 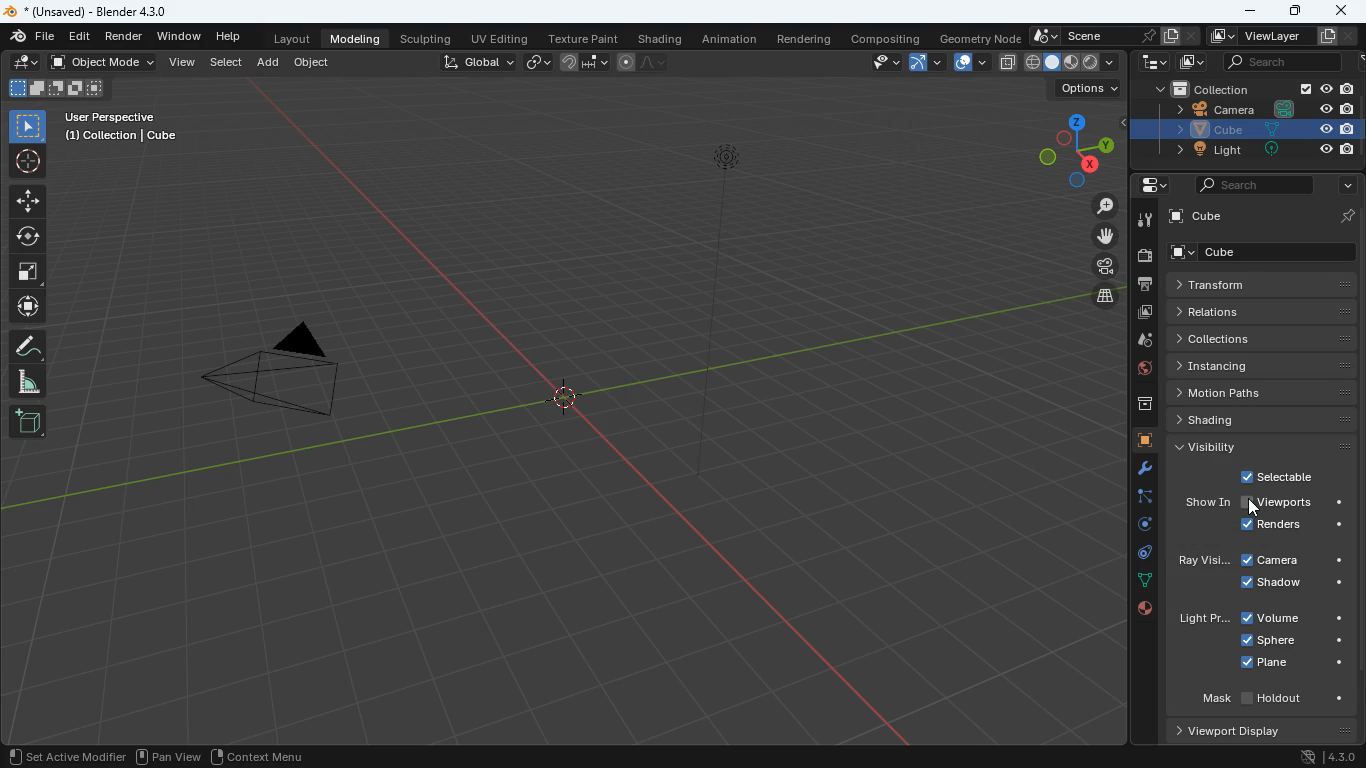 I want to click on volume, so click(x=1293, y=618).